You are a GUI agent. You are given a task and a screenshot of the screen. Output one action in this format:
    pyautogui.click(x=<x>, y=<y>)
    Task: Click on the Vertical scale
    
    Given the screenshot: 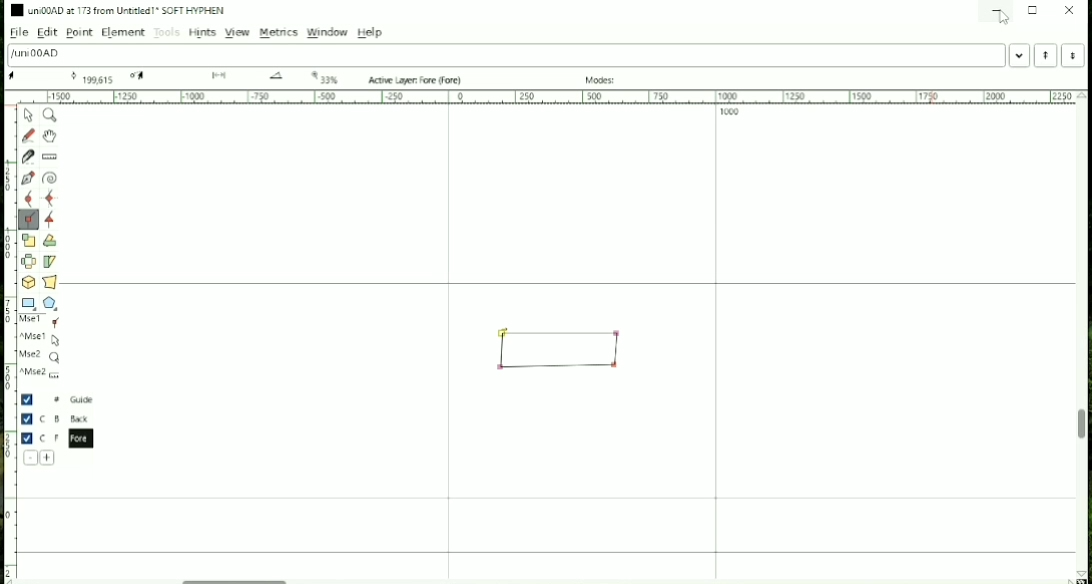 What is the action you would take?
    pyautogui.click(x=10, y=336)
    